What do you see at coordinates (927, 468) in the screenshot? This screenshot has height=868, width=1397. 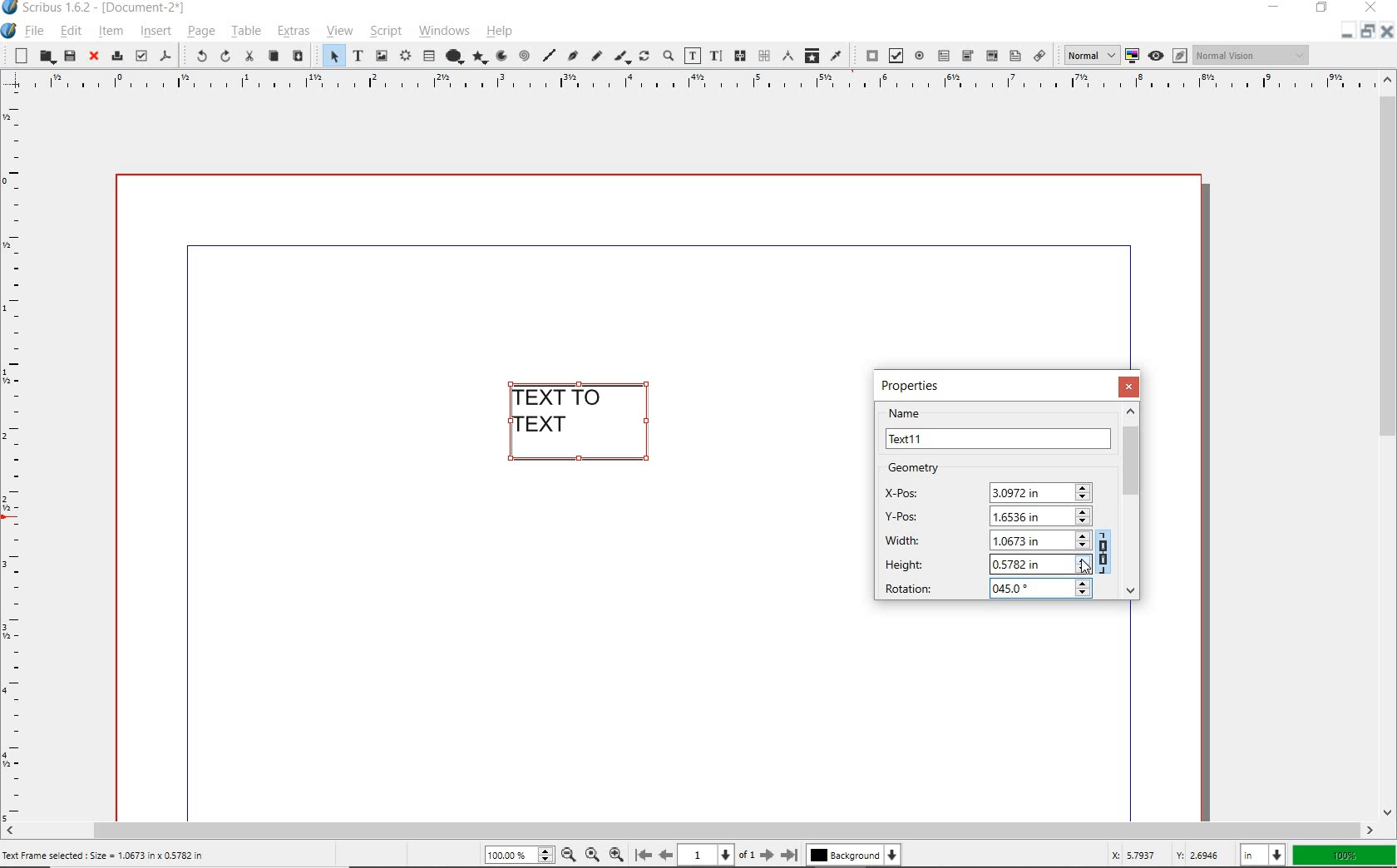 I see `GEOMETRY` at bounding box center [927, 468].